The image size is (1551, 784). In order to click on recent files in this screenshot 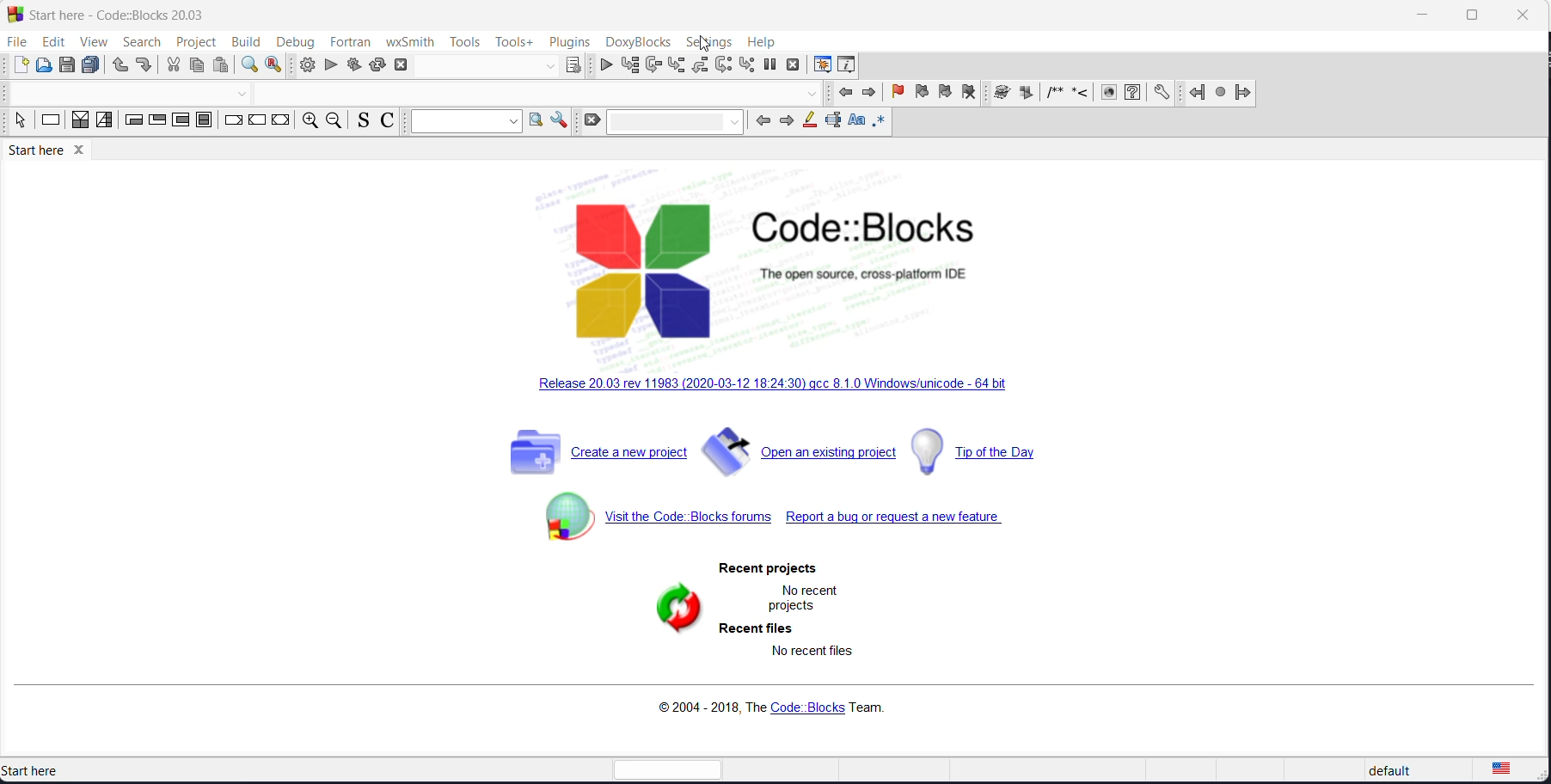, I will do `click(765, 626)`.